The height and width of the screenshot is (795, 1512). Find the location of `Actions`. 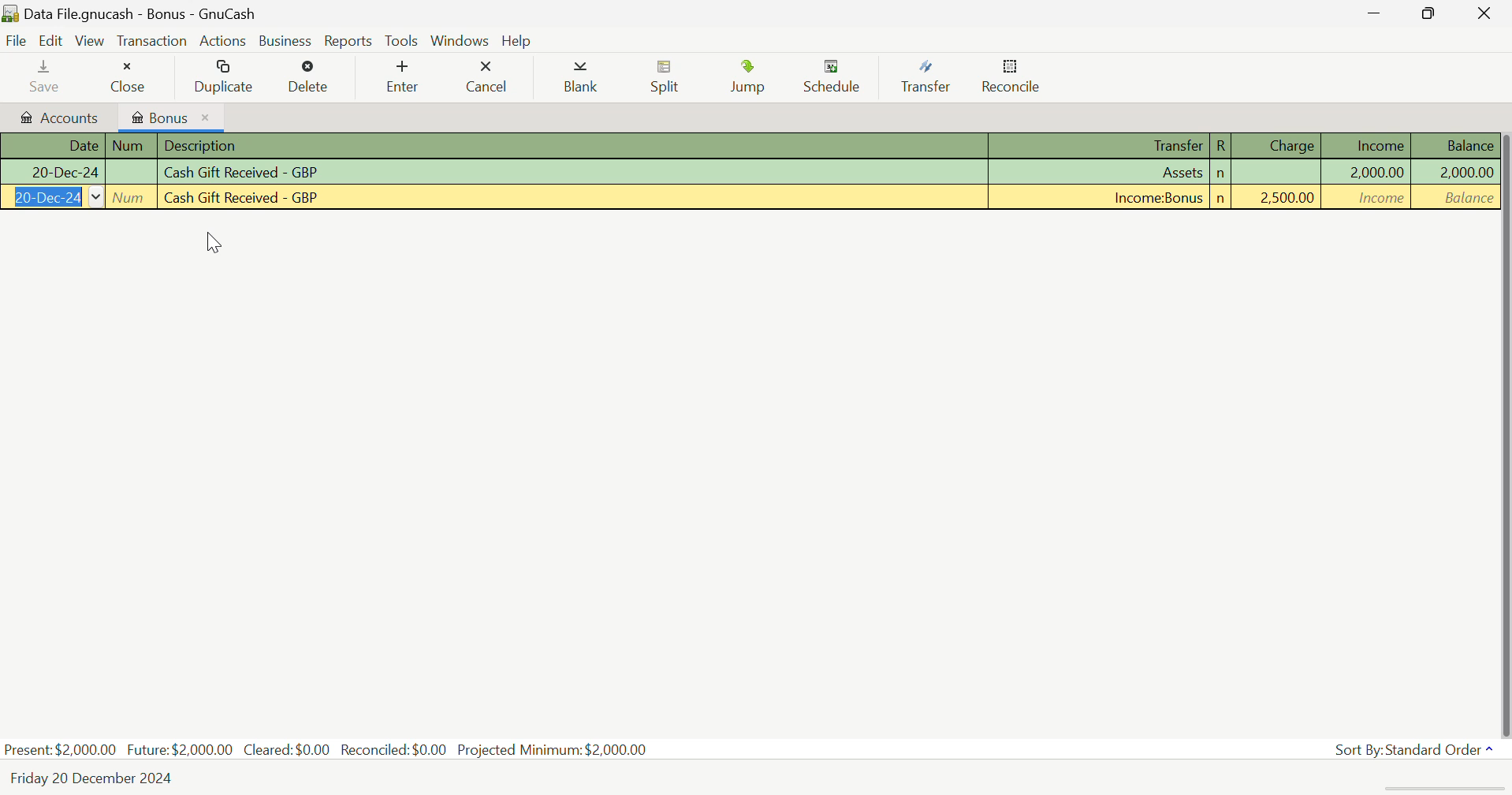

Actions is located at coordinates (222, 40).